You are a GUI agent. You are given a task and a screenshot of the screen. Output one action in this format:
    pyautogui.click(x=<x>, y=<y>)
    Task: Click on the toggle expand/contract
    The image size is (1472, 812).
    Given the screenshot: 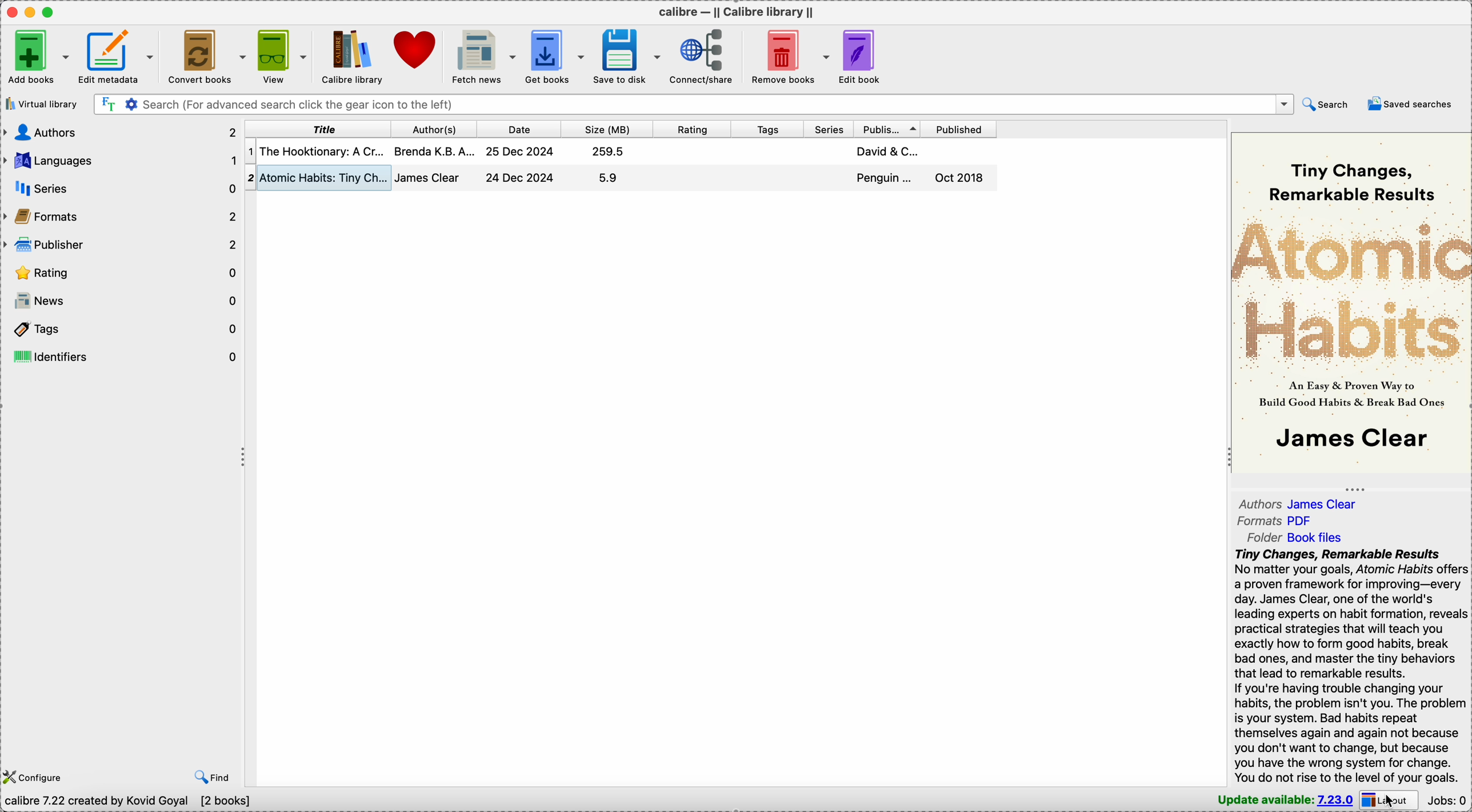 What is the action you would take?
    pyautogui.click(x=244, y=458)
    